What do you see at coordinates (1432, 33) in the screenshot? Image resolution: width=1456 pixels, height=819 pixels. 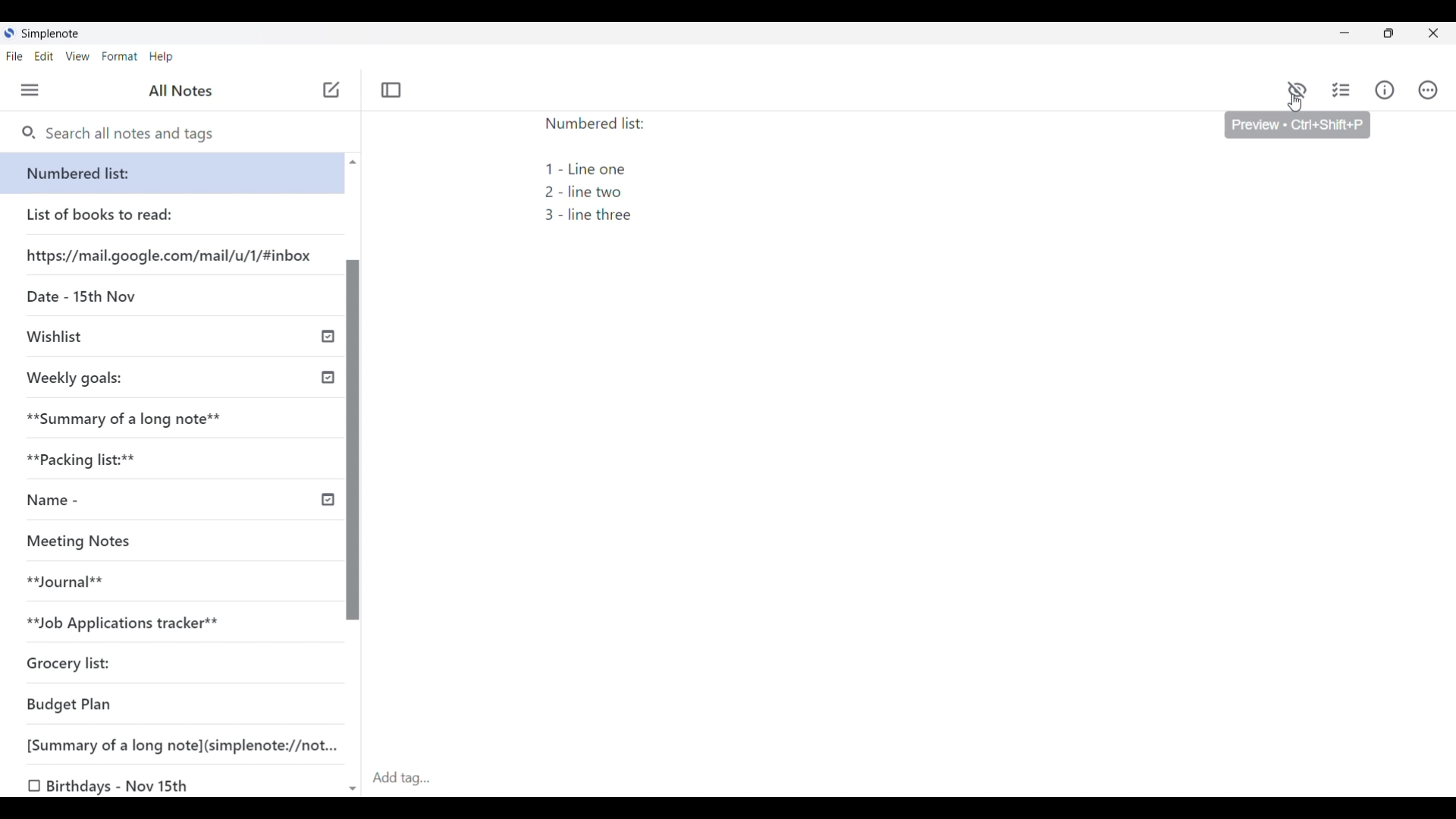 I see `Close interface` at bounding box center [1432, 33].